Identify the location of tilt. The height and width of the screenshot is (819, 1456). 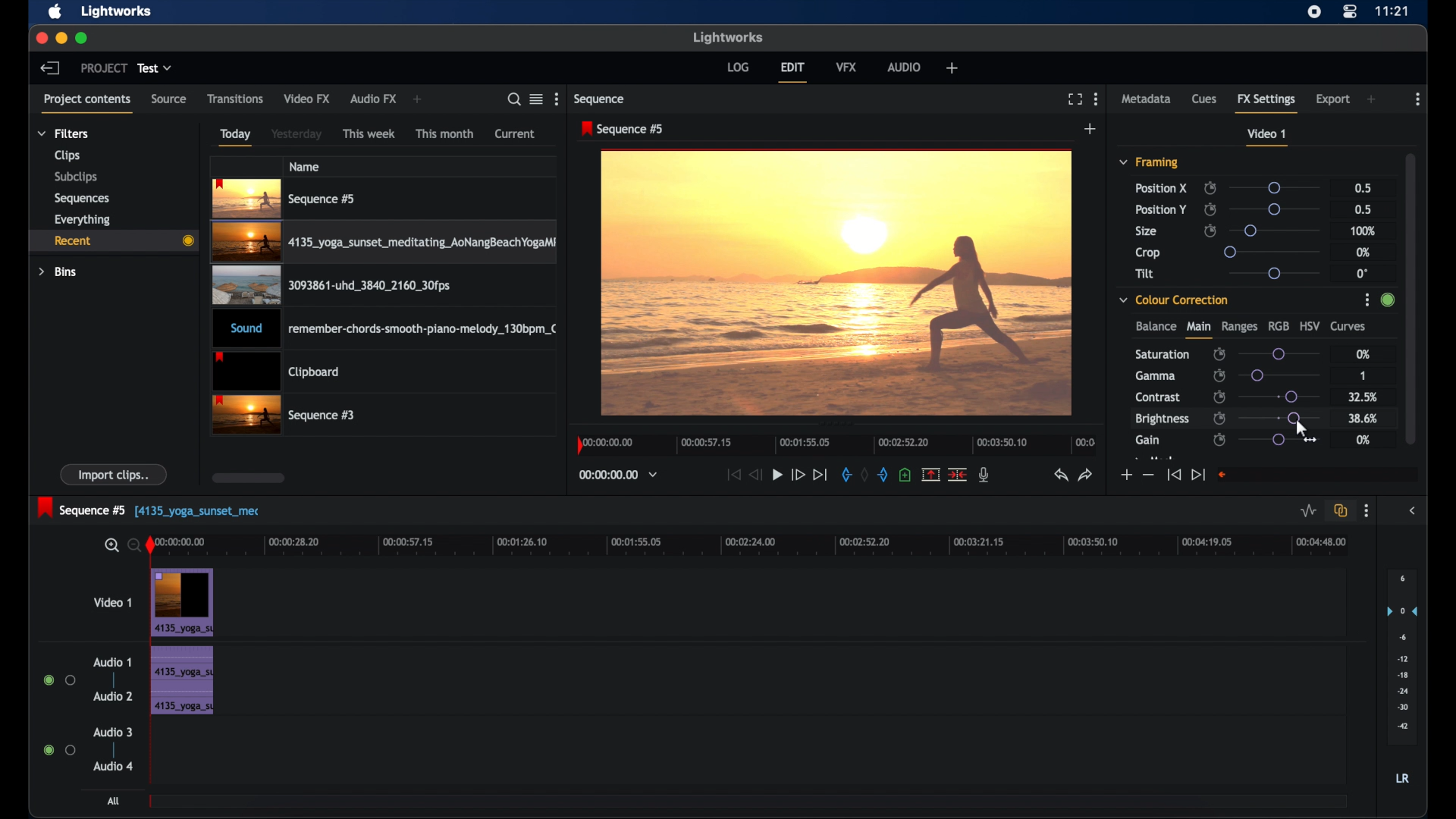
(1145, 274).